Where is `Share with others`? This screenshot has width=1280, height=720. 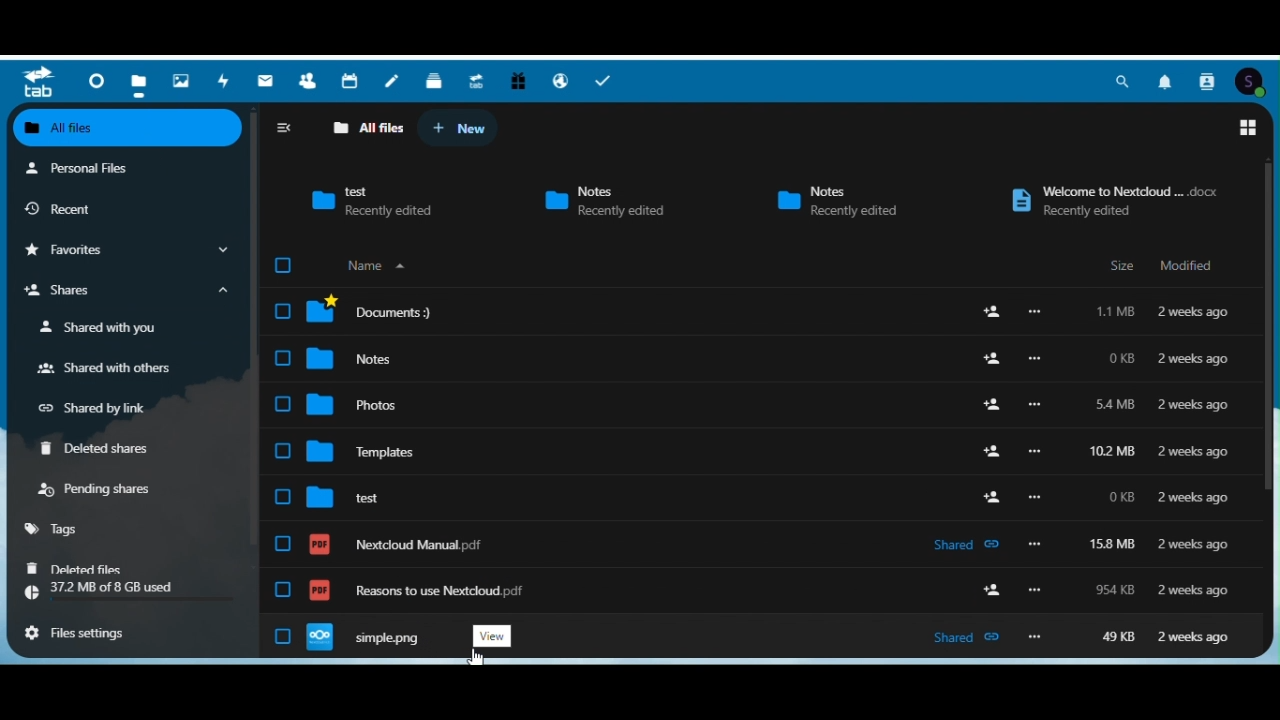
Share with others is located at coordinates (124, 367).